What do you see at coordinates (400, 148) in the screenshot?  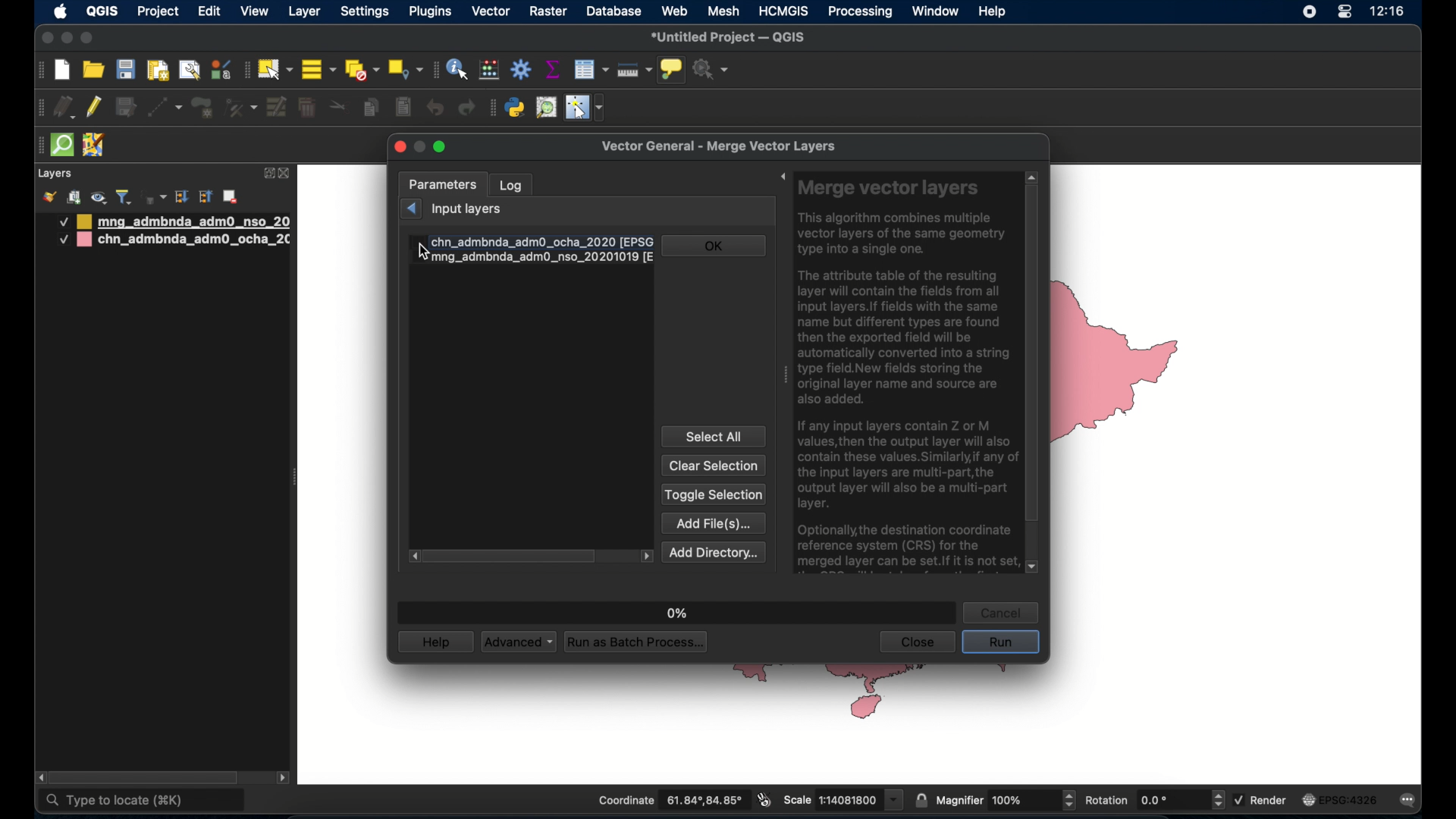 I see `close` at bounding box center [400, 148].